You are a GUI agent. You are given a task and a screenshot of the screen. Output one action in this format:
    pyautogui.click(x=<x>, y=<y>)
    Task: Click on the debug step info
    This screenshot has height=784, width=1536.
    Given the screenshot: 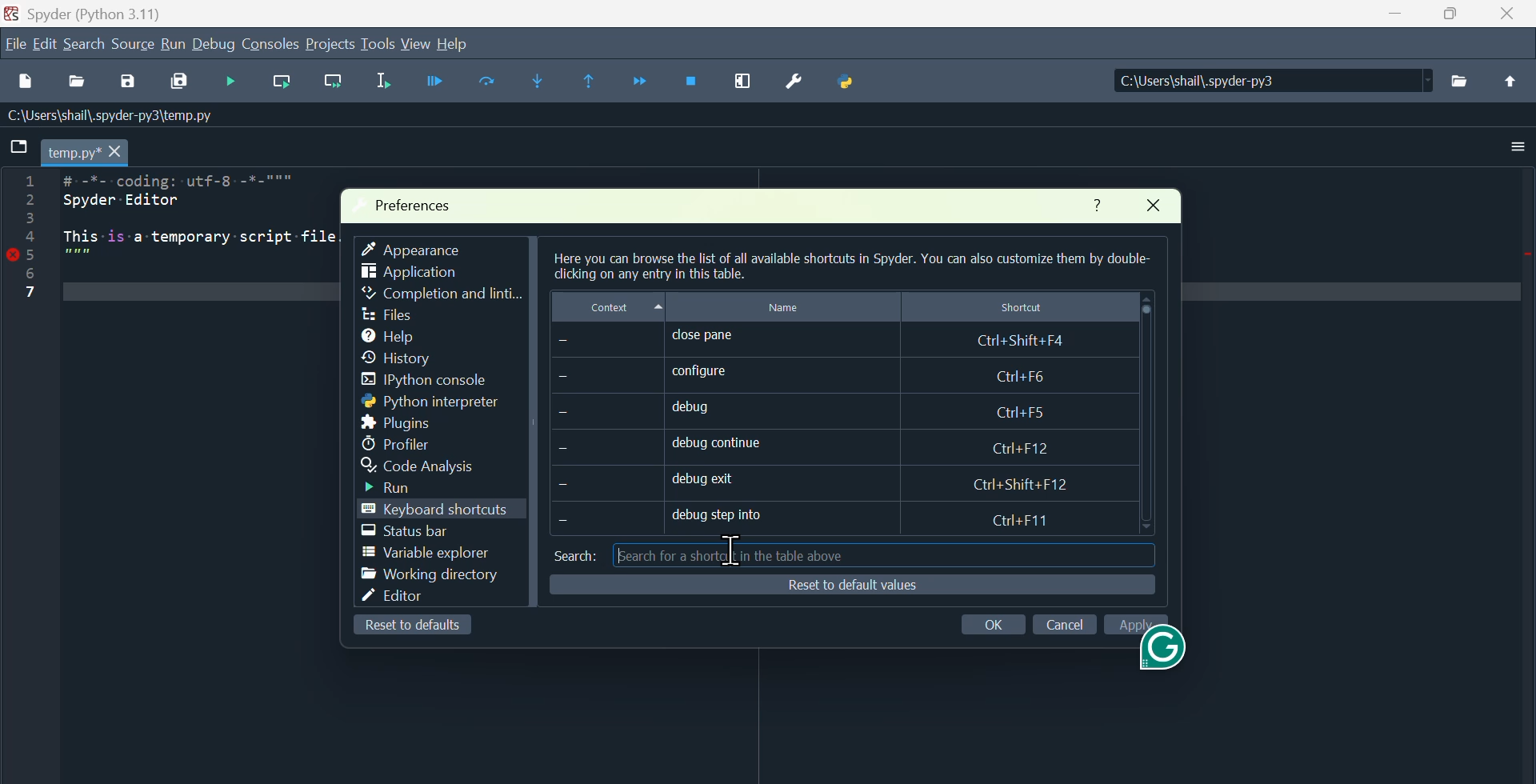 What is the action you would take?
    pyautogui.click(x=803, y=518)
    